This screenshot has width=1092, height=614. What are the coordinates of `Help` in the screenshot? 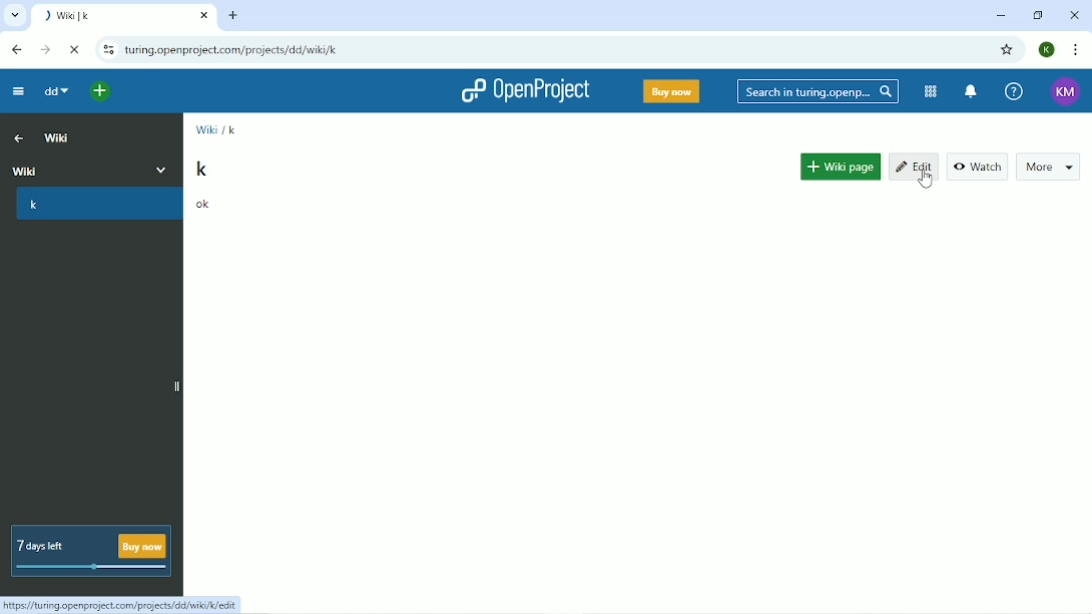 It's located at (1013, 91).